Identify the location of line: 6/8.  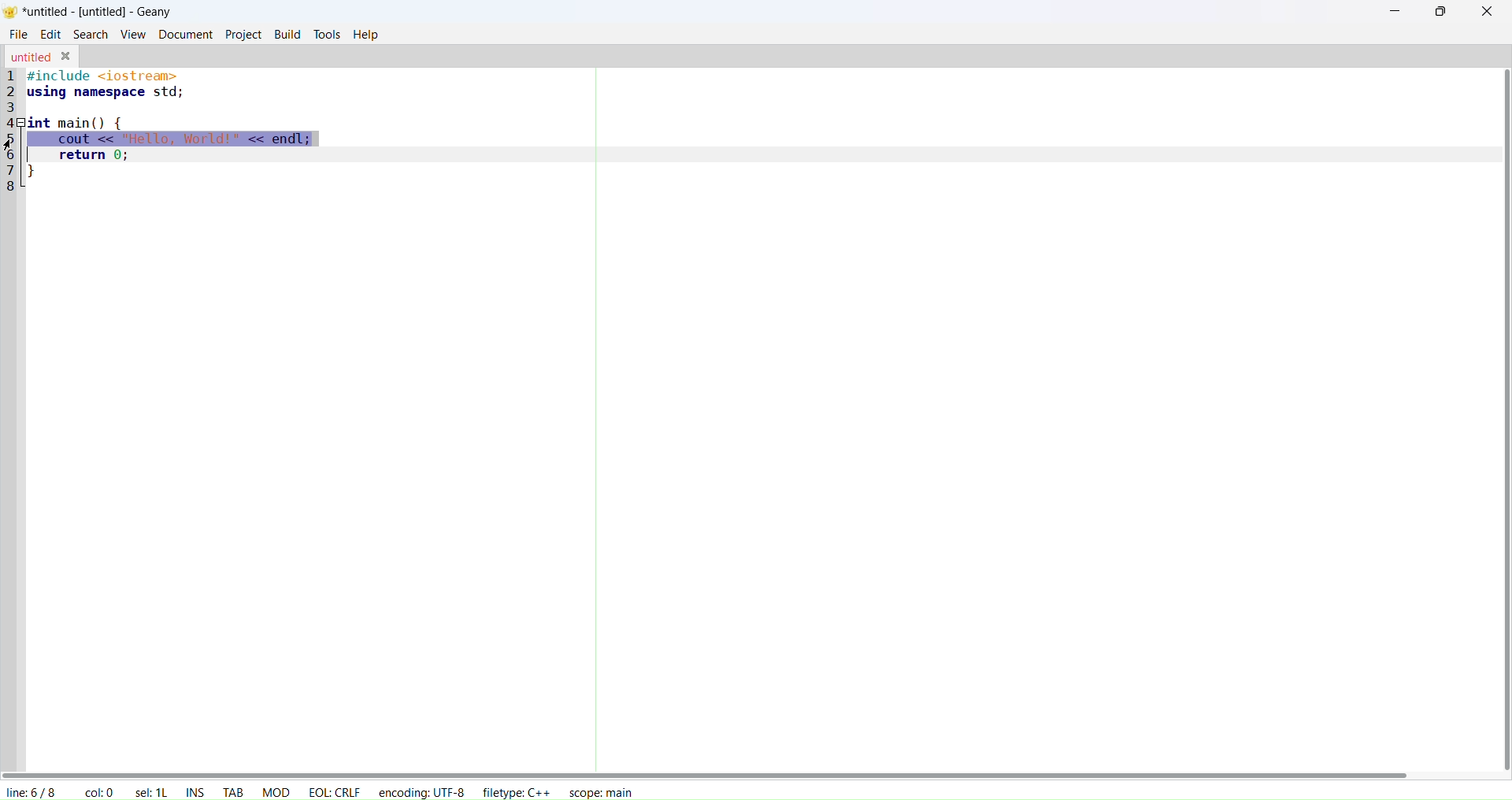
(31, 791).